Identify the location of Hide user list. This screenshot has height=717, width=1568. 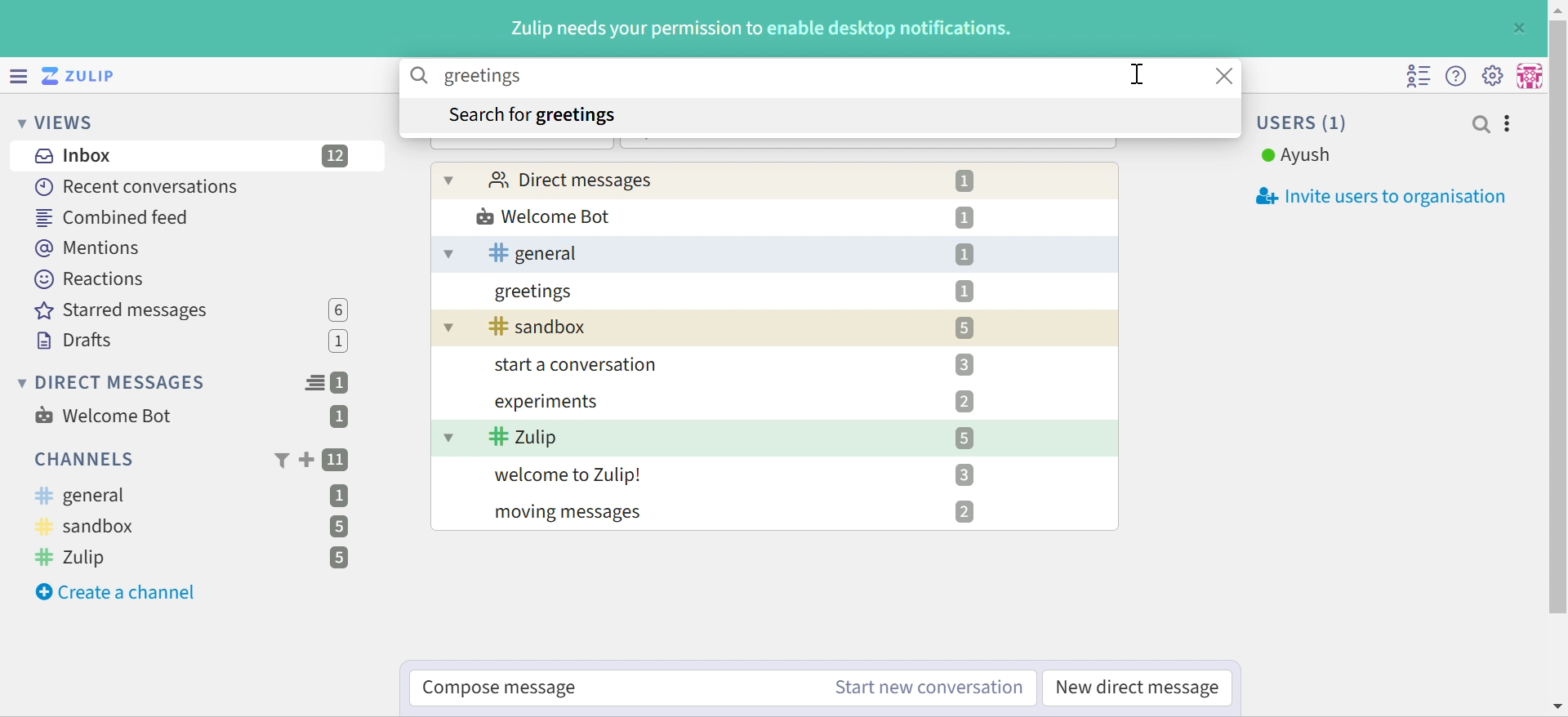
(1419, 77).